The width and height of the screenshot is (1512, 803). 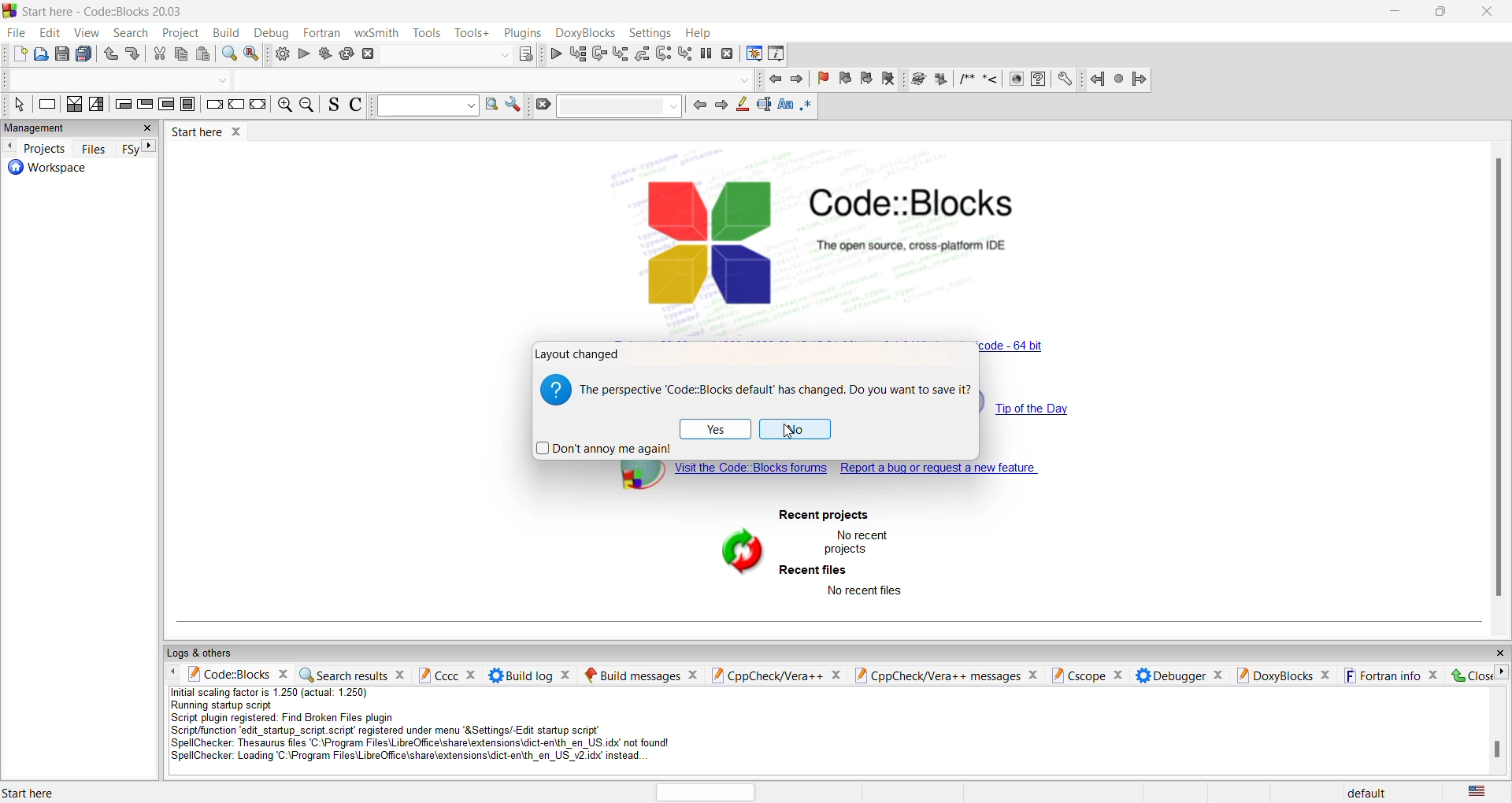 I want to click on clear, so click(x=543, y=105).